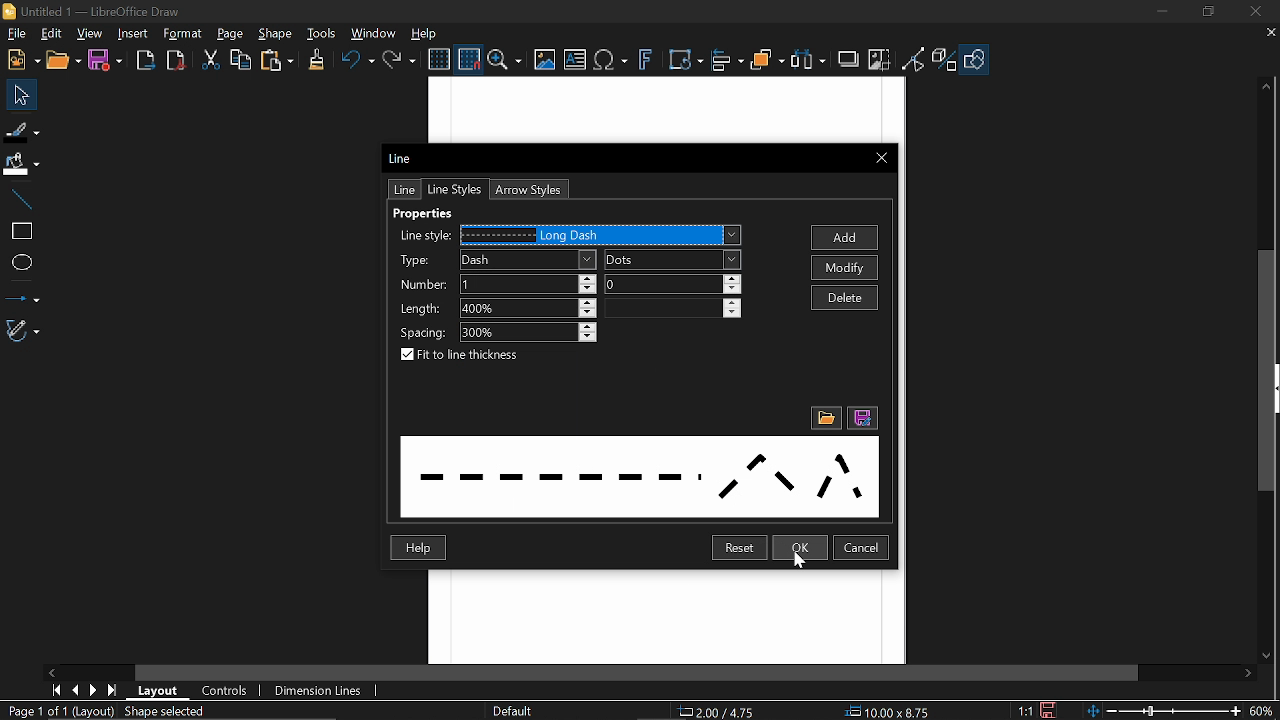 The image size is (1280, 720). I want to click on Fit to the thickness, so click(464, 356).